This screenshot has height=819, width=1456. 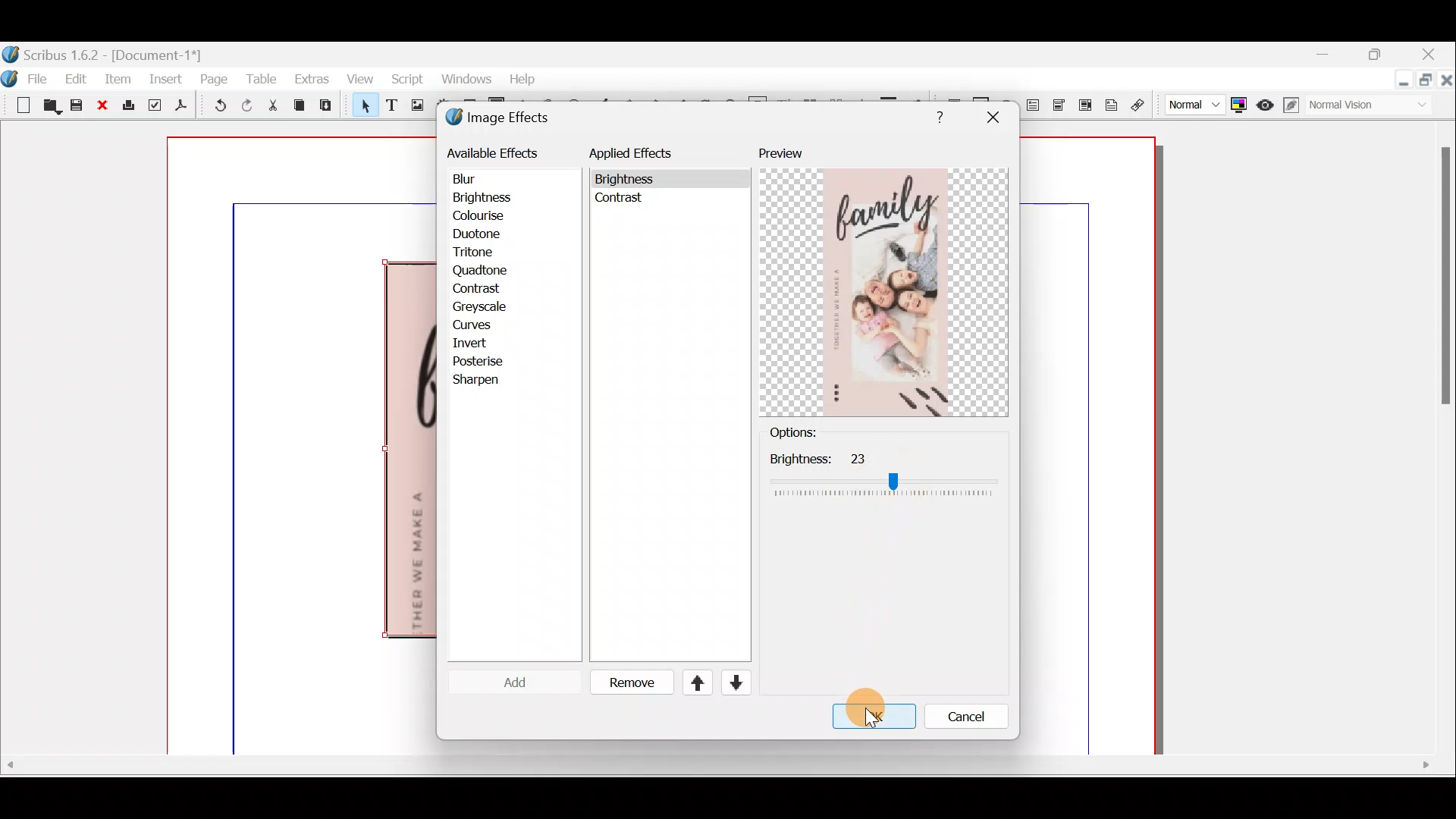 What do you see at coordinates (504, 682) in the screenshot?
I see `Cursor` at bounding box center [504, 682].